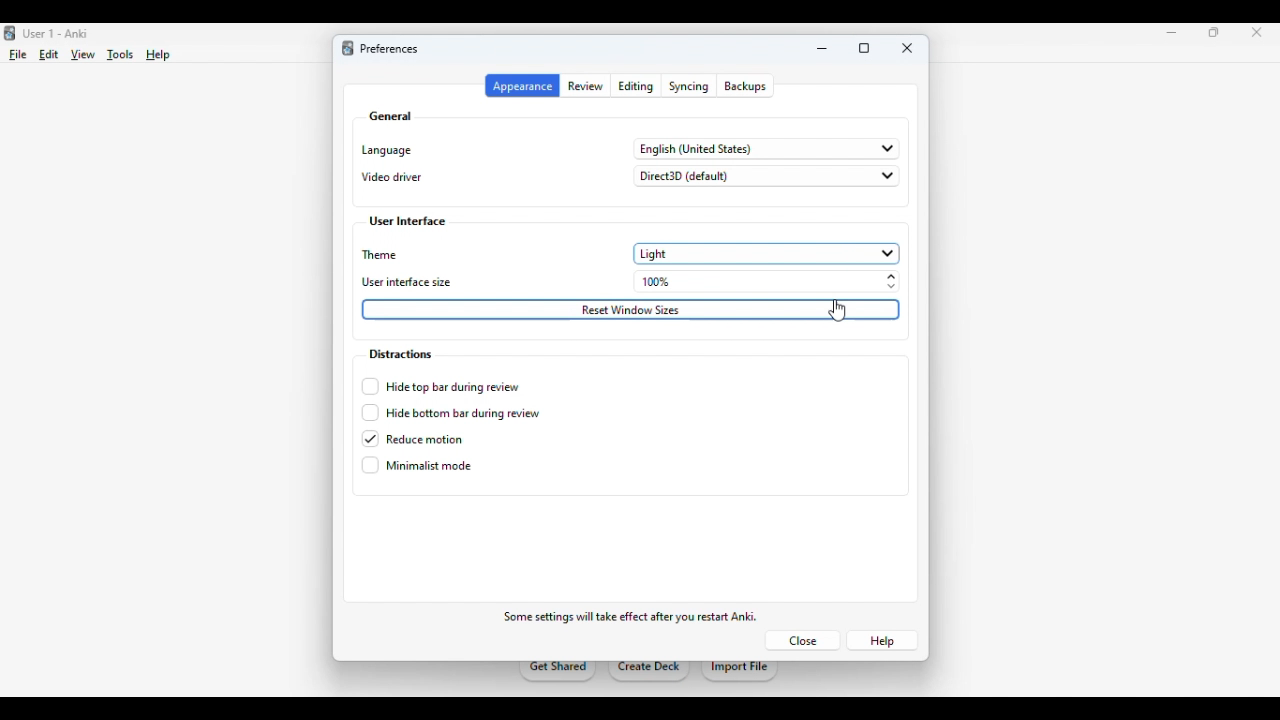 The height and width of the screenshot is (720, 1280). I want to click on maximize, so click(1214, 32).